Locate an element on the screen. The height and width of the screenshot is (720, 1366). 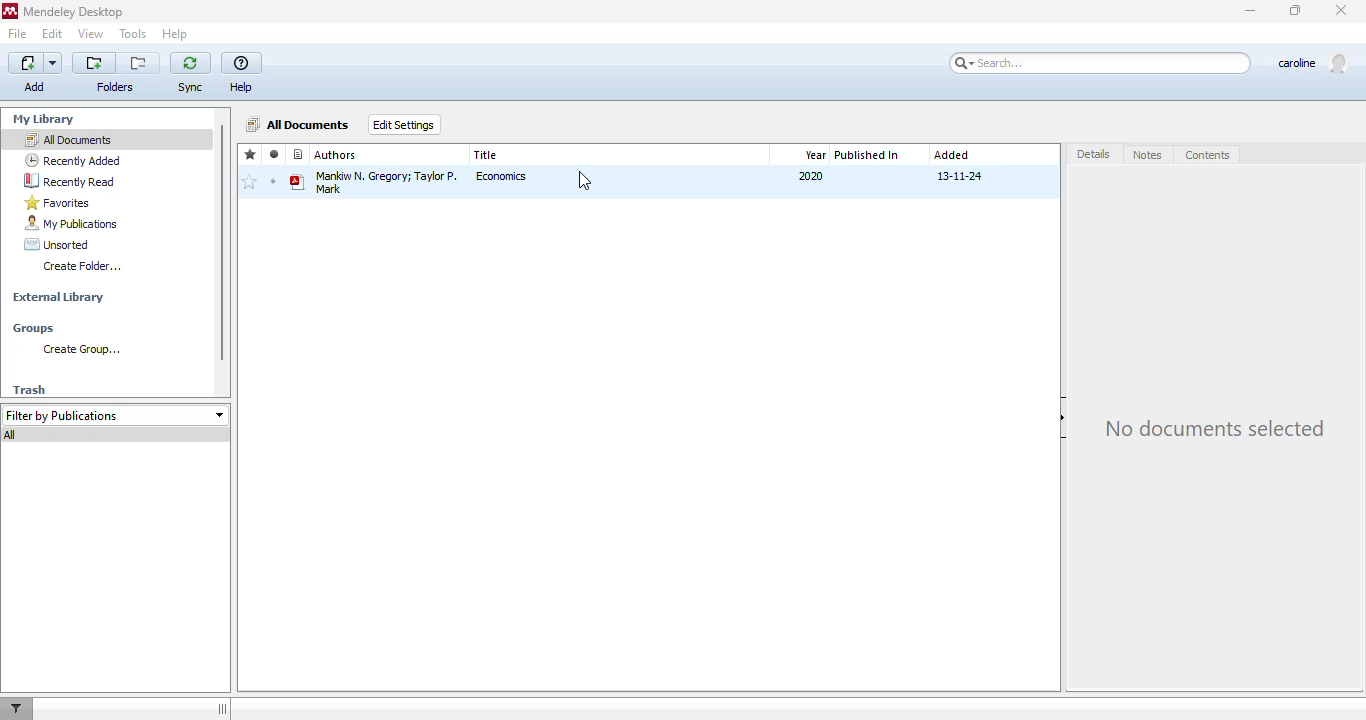
favorites is located at coordinates (59, 202).